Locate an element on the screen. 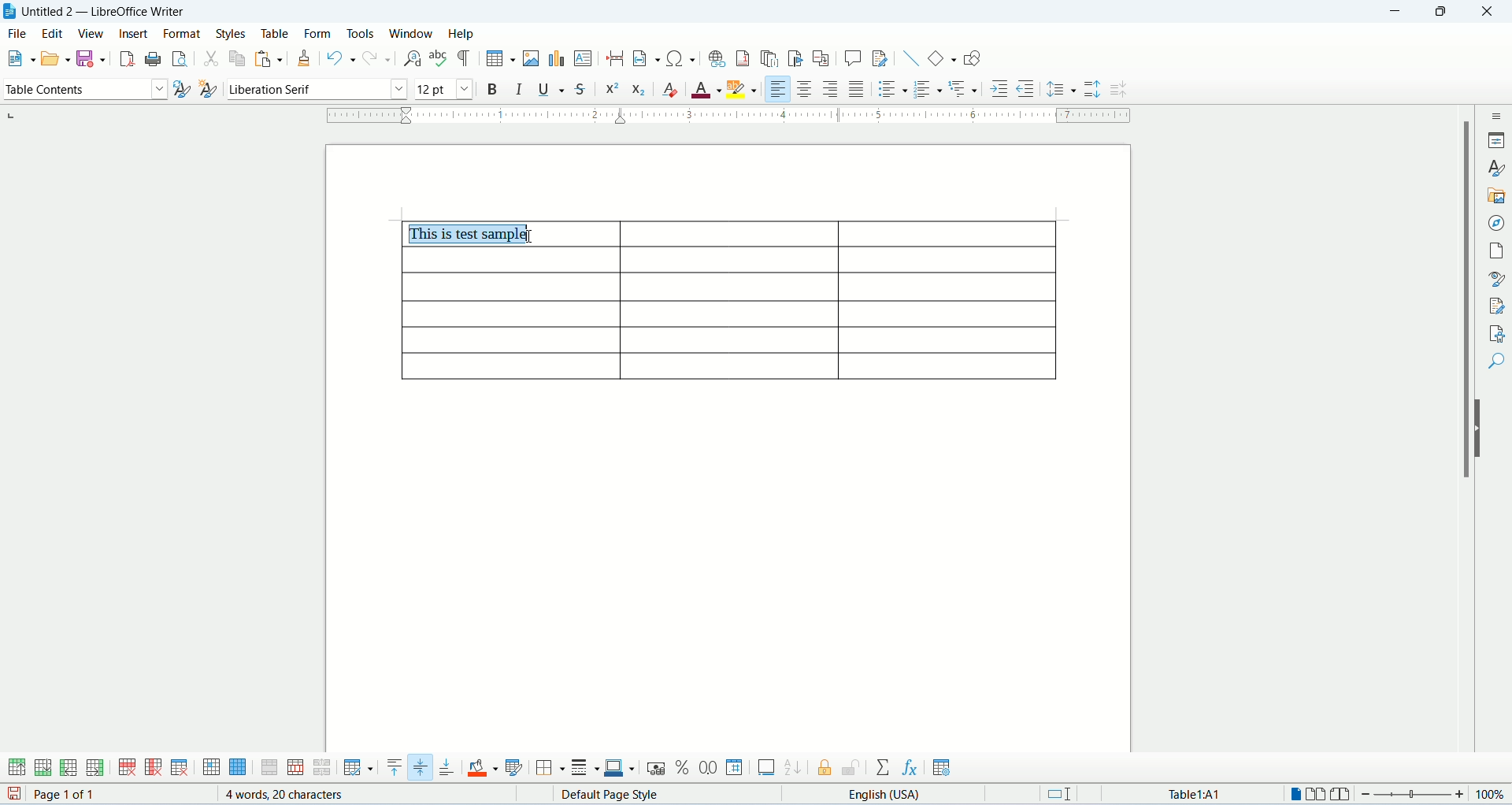  style inspector is located at coordinates (1498, 278).